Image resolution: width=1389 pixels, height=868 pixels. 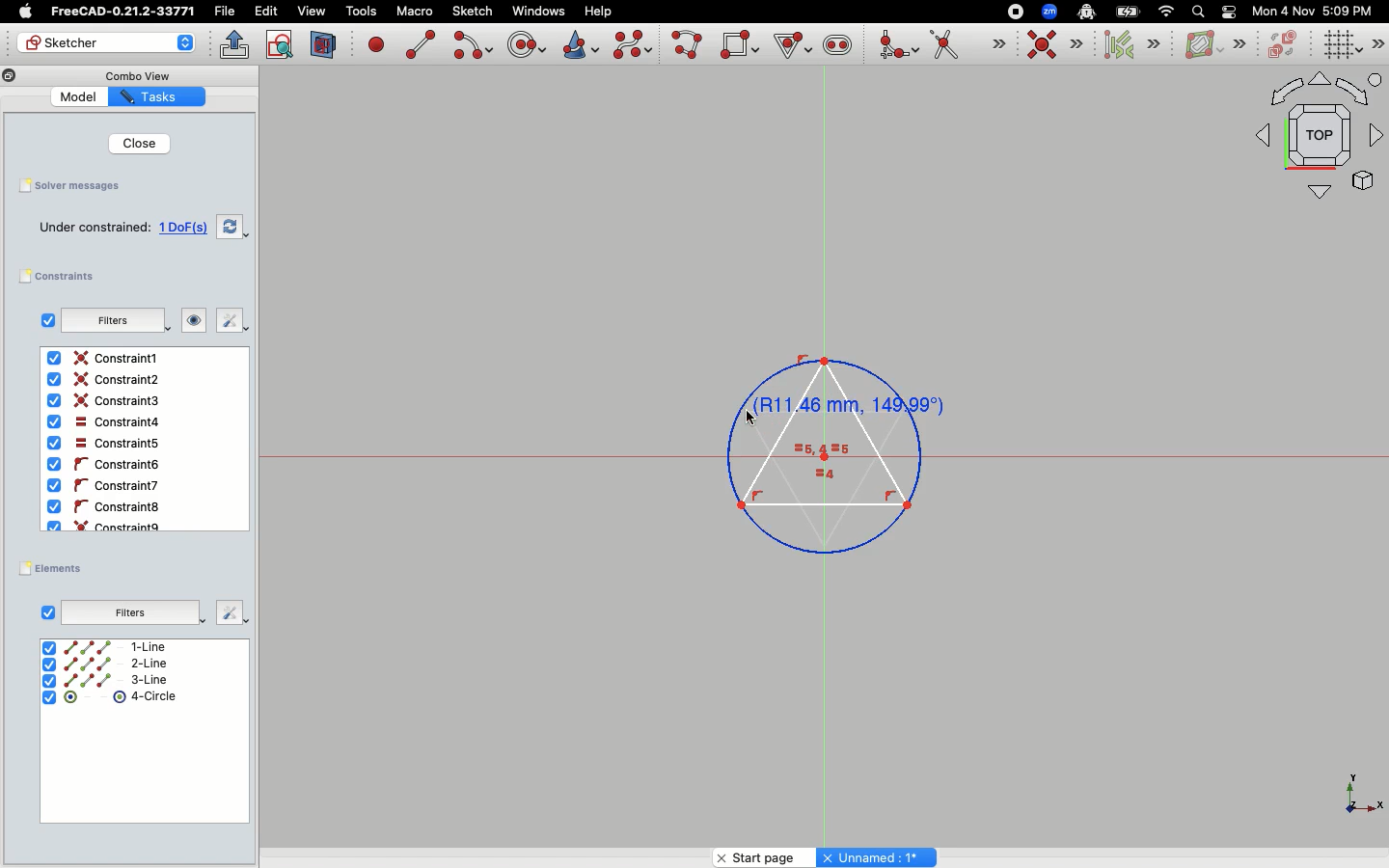 What do you see at coordinates (527, 42) in the screenshot?
I see `Create circle` at bounding box center [527, 42].